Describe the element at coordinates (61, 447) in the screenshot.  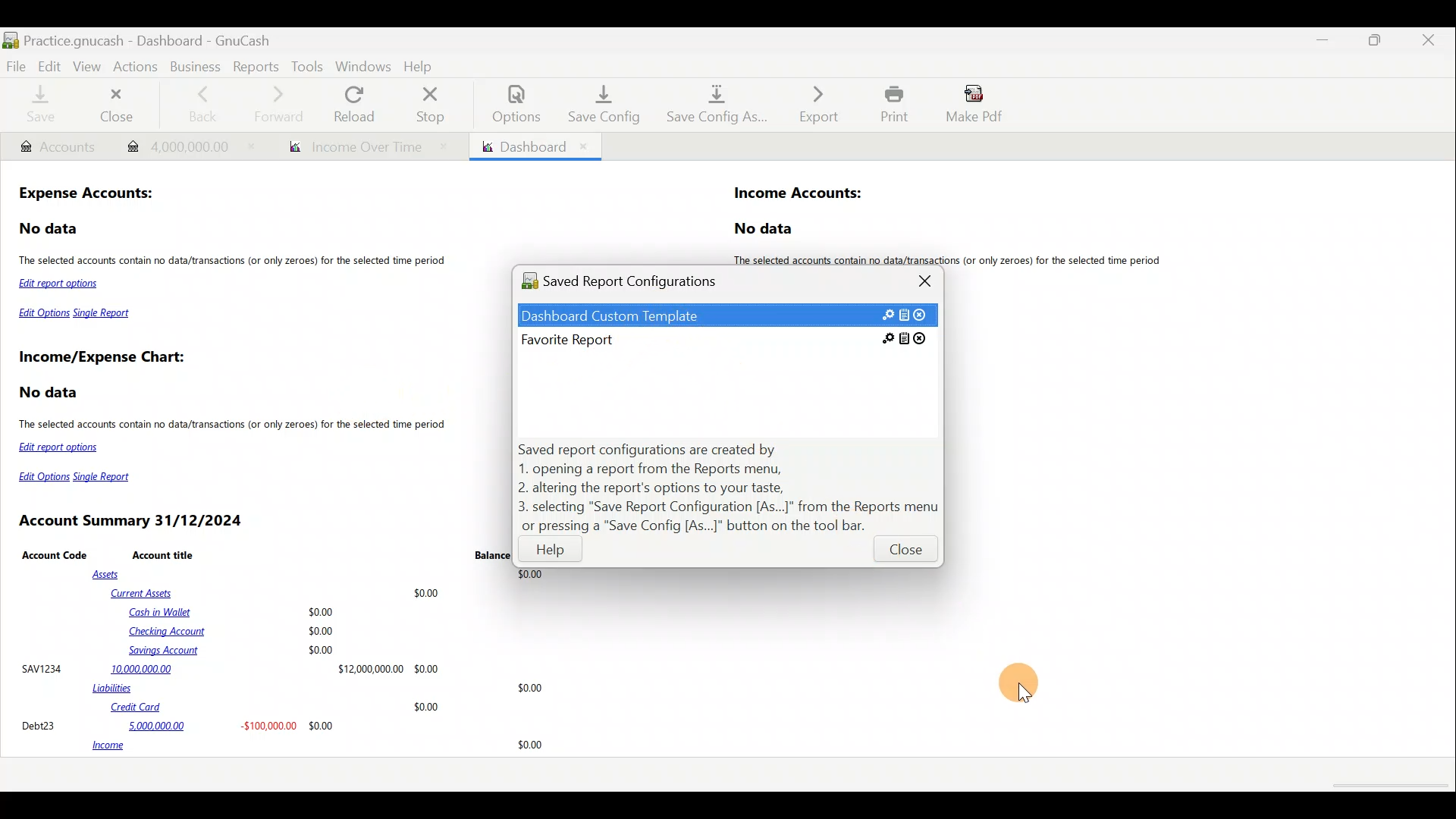
I see `Edit report options` at that location.